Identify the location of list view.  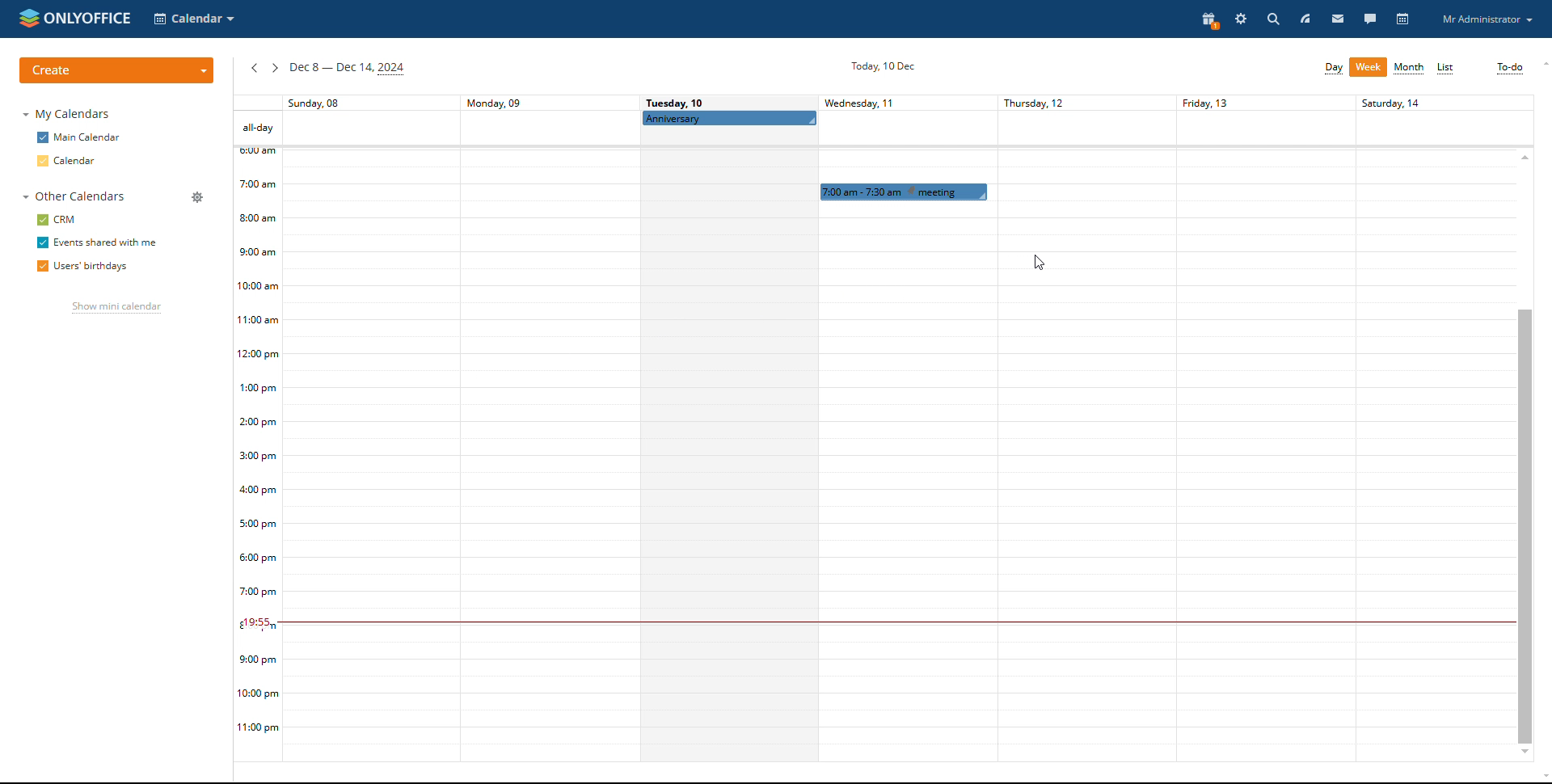
(1446, 69).